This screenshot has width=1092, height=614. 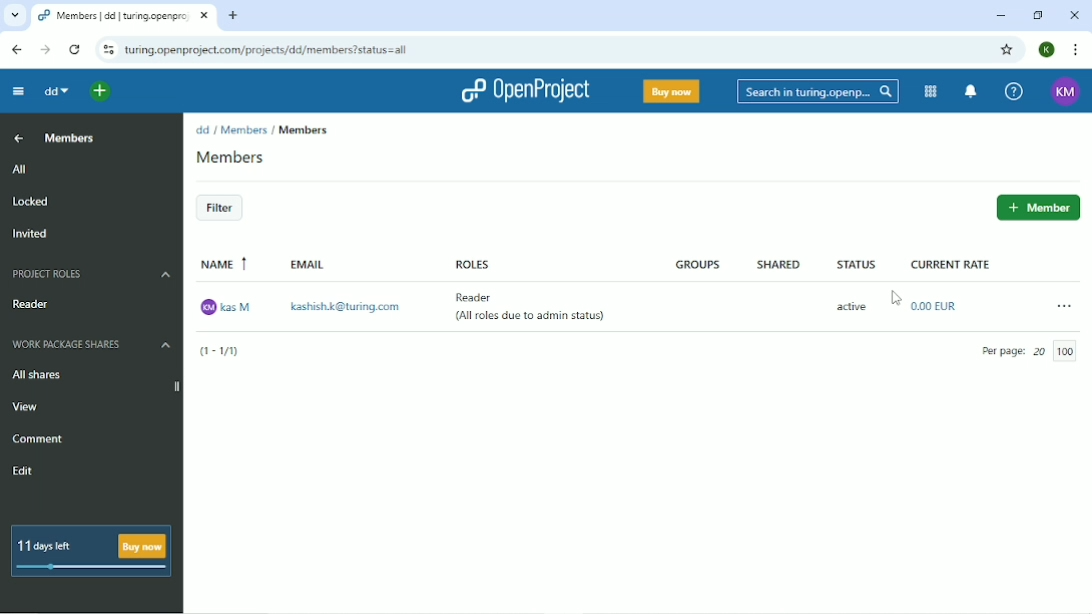 I want to click on Bookmark this tab, so click(x=1005, y=48).